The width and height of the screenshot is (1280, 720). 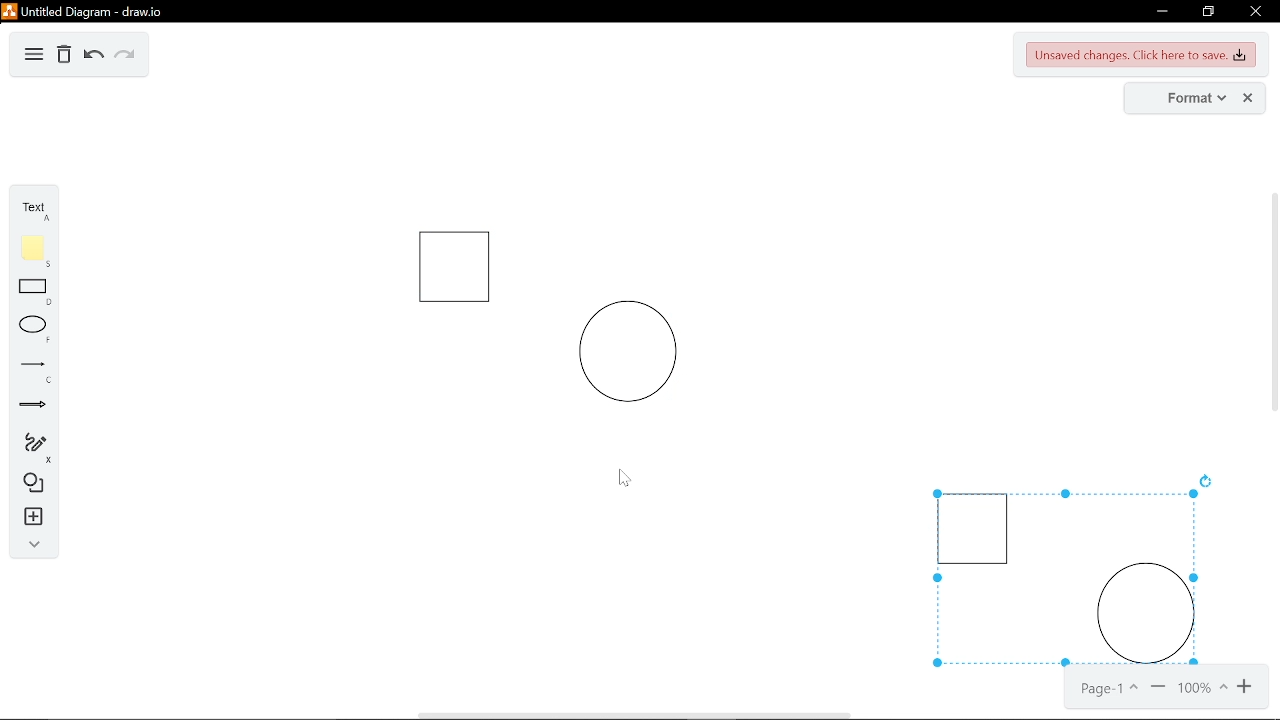 I want to click on arrows, so click(x=33, y=407).